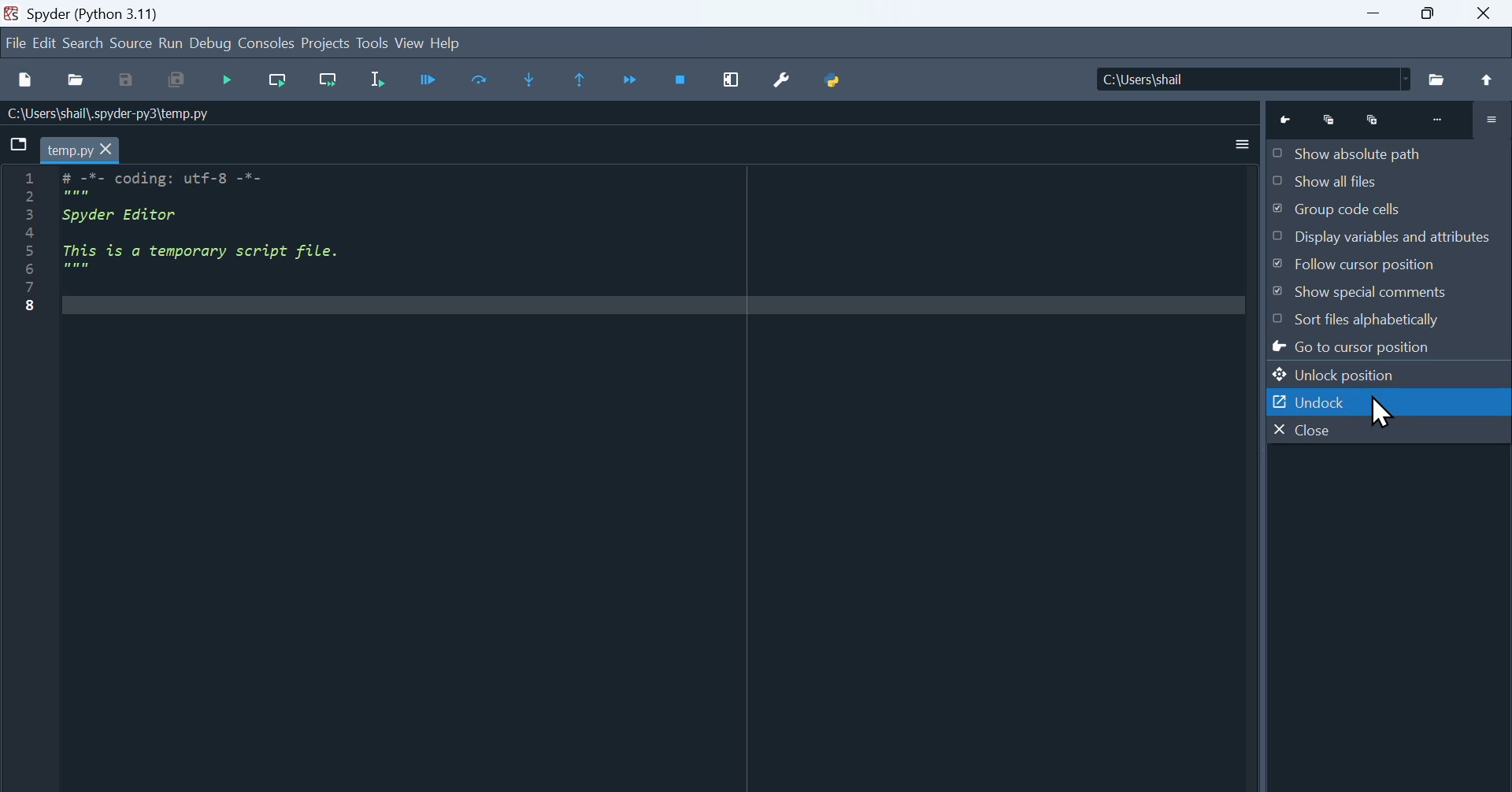 The height and width of the screenshot is (792, 1512). I want to click on Group code cells, so click(1388, 210).